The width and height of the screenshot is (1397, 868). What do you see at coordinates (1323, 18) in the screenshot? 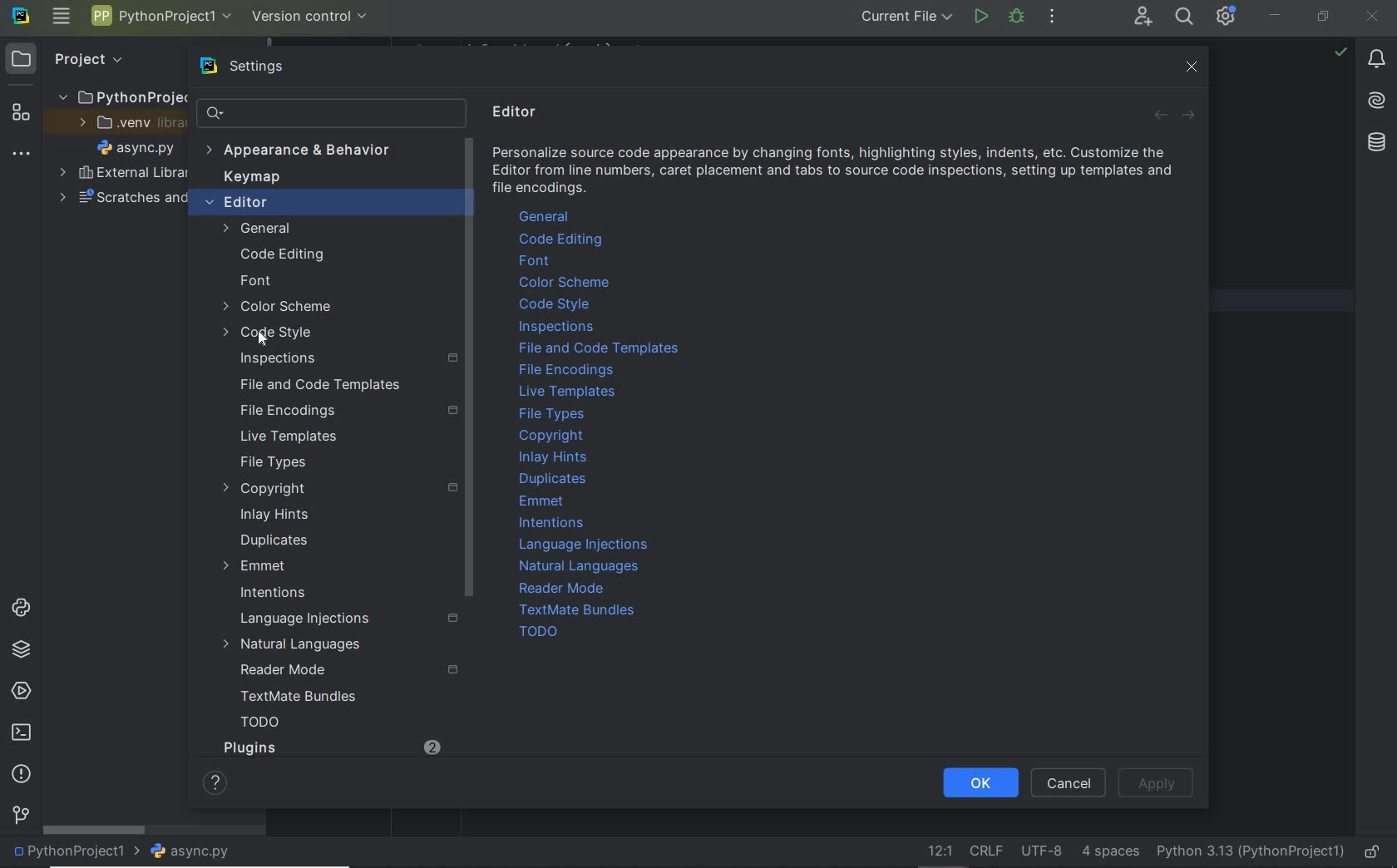
I see `RESTORE DOWN` at bounding box center [1323, 18].